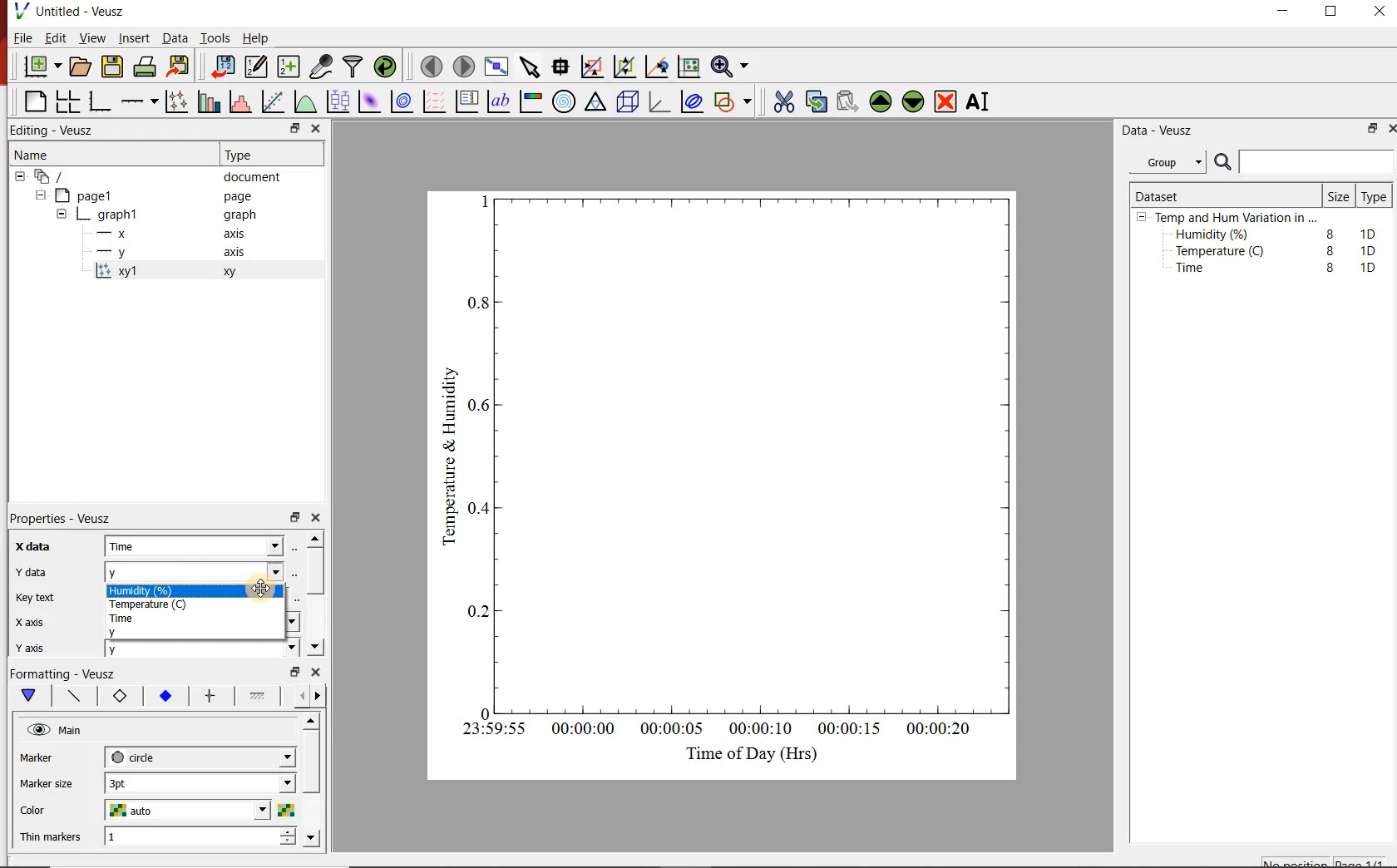 This screenshot has height=868, width=1397. I want to click on hide sub menu, so click(1142, 219).